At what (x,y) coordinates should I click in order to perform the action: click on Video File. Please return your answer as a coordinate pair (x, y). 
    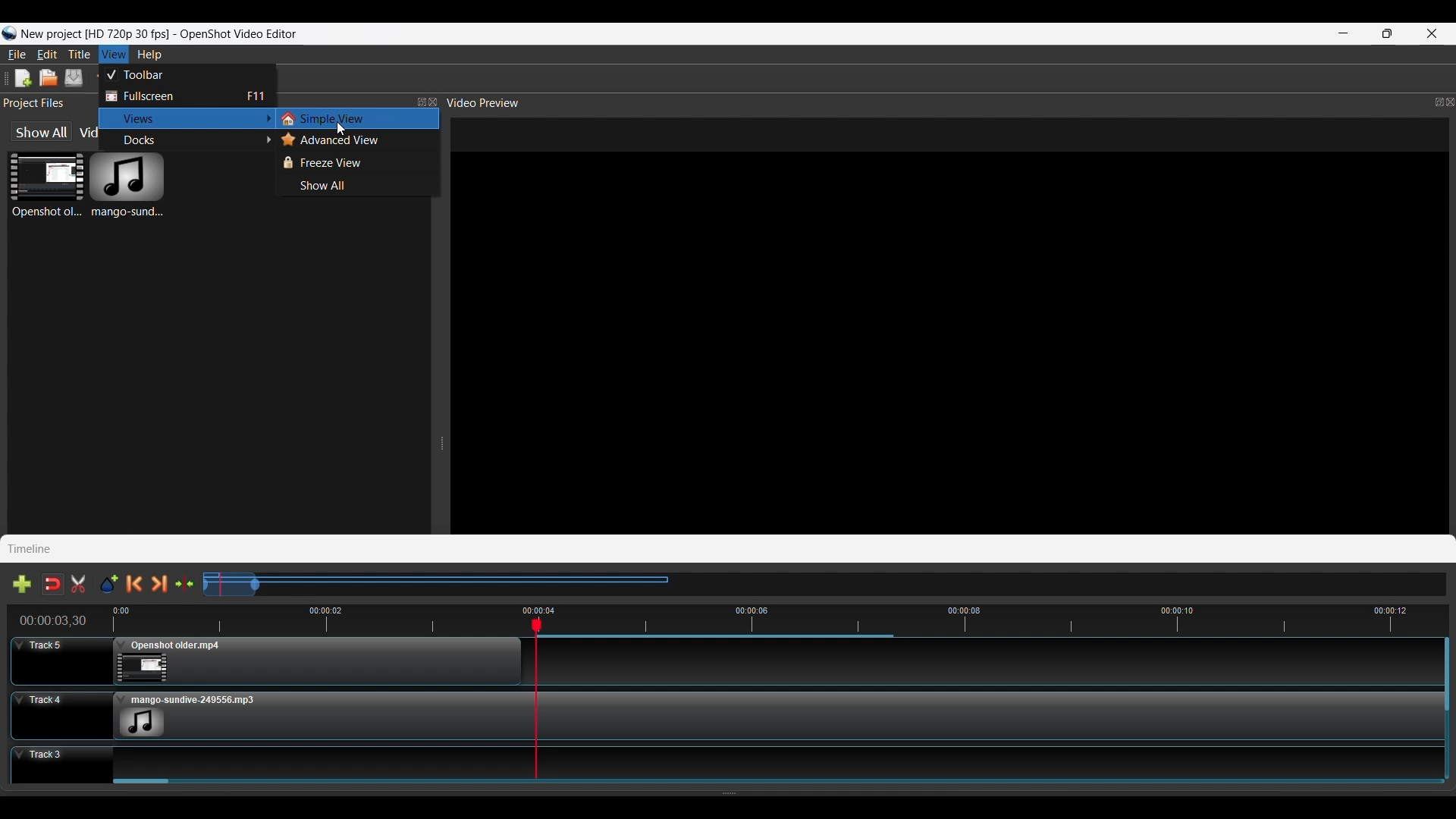
    Looking at the image, I should click on (46, 185).